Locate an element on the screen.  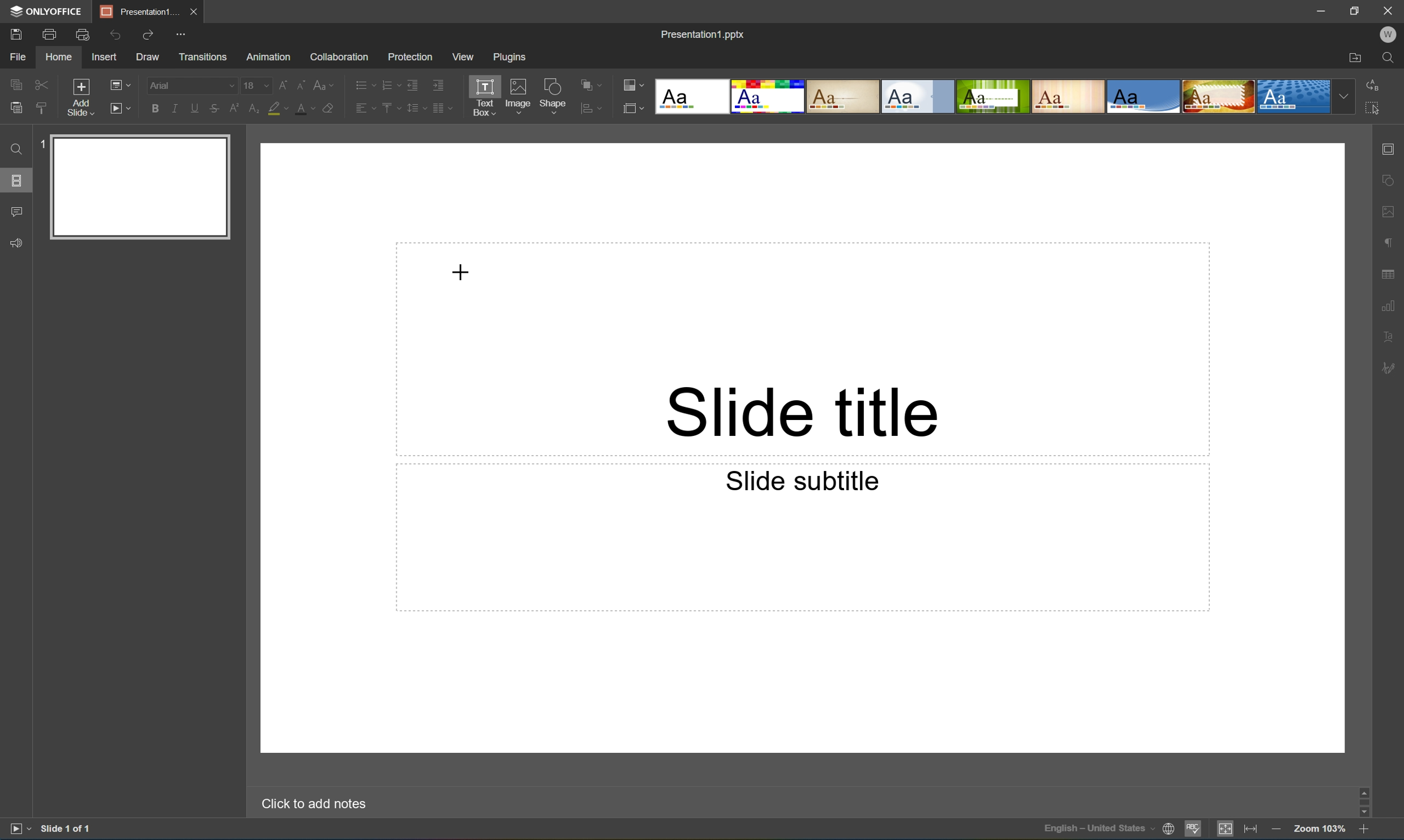
paragraph settings is located at coordinates (1391, 241).